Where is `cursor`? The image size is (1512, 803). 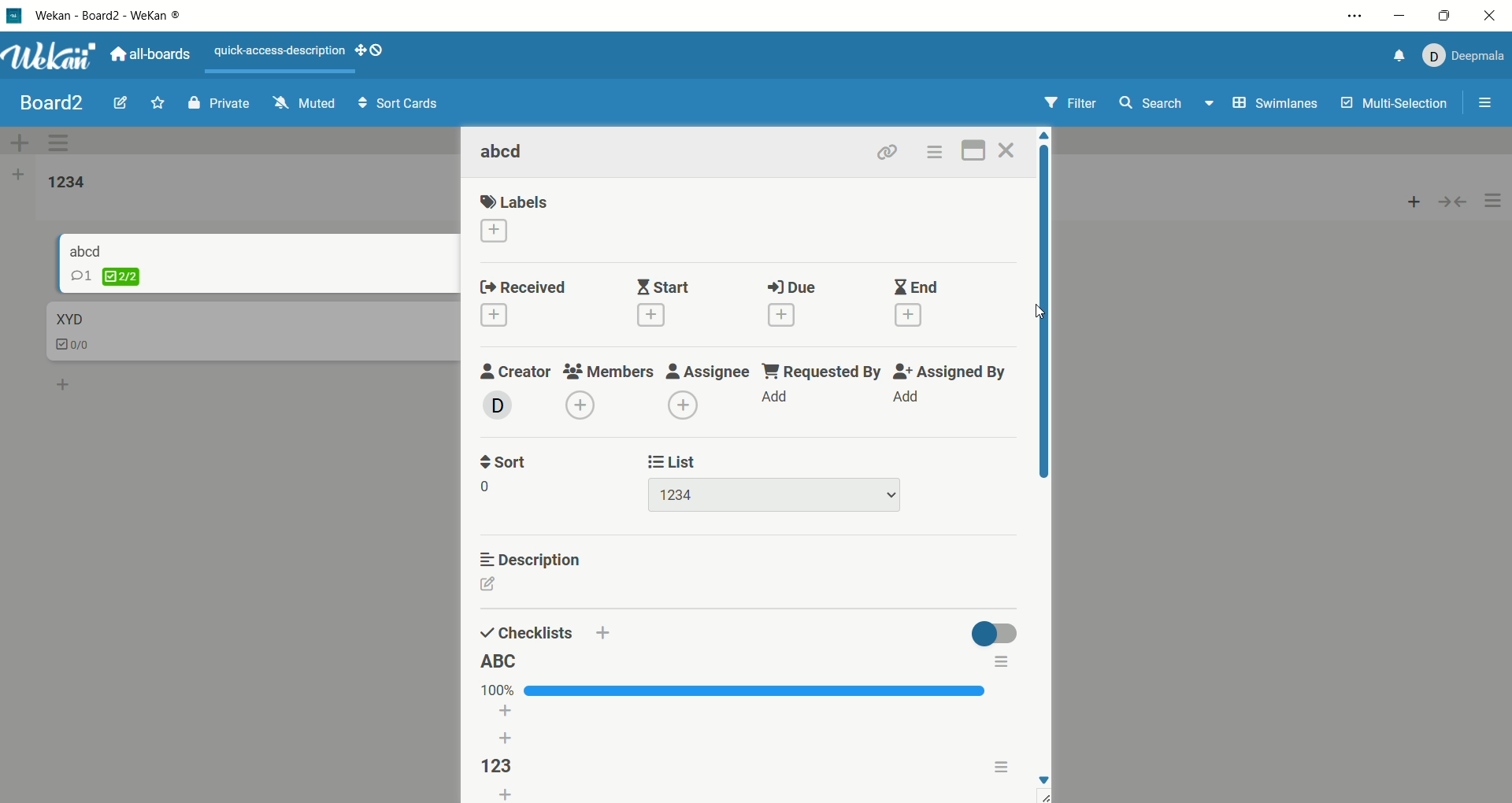
cursor is located at coordinates (1043, 313).